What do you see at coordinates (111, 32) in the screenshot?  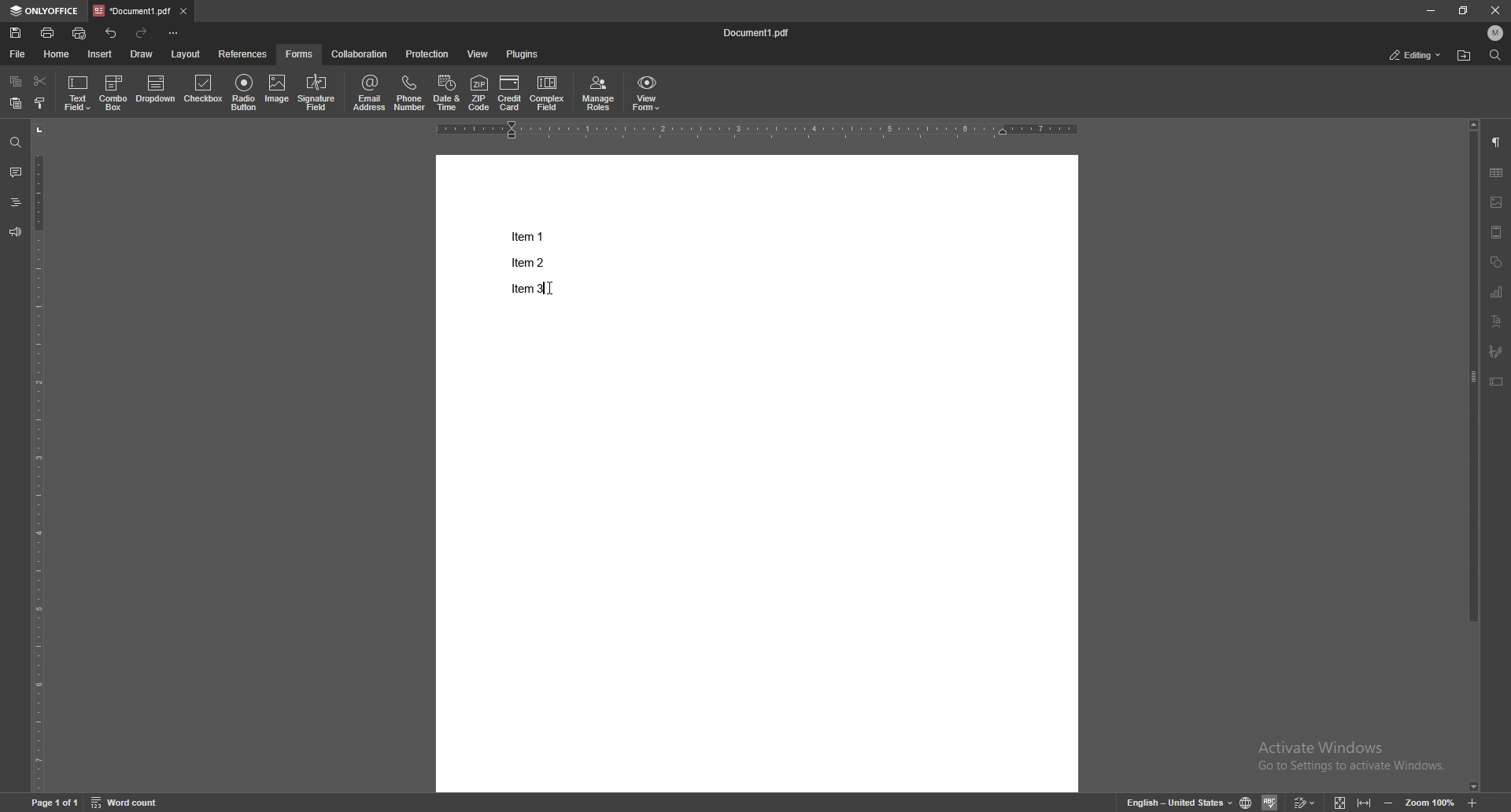 I see `undo` at bounding box center [111, 32].